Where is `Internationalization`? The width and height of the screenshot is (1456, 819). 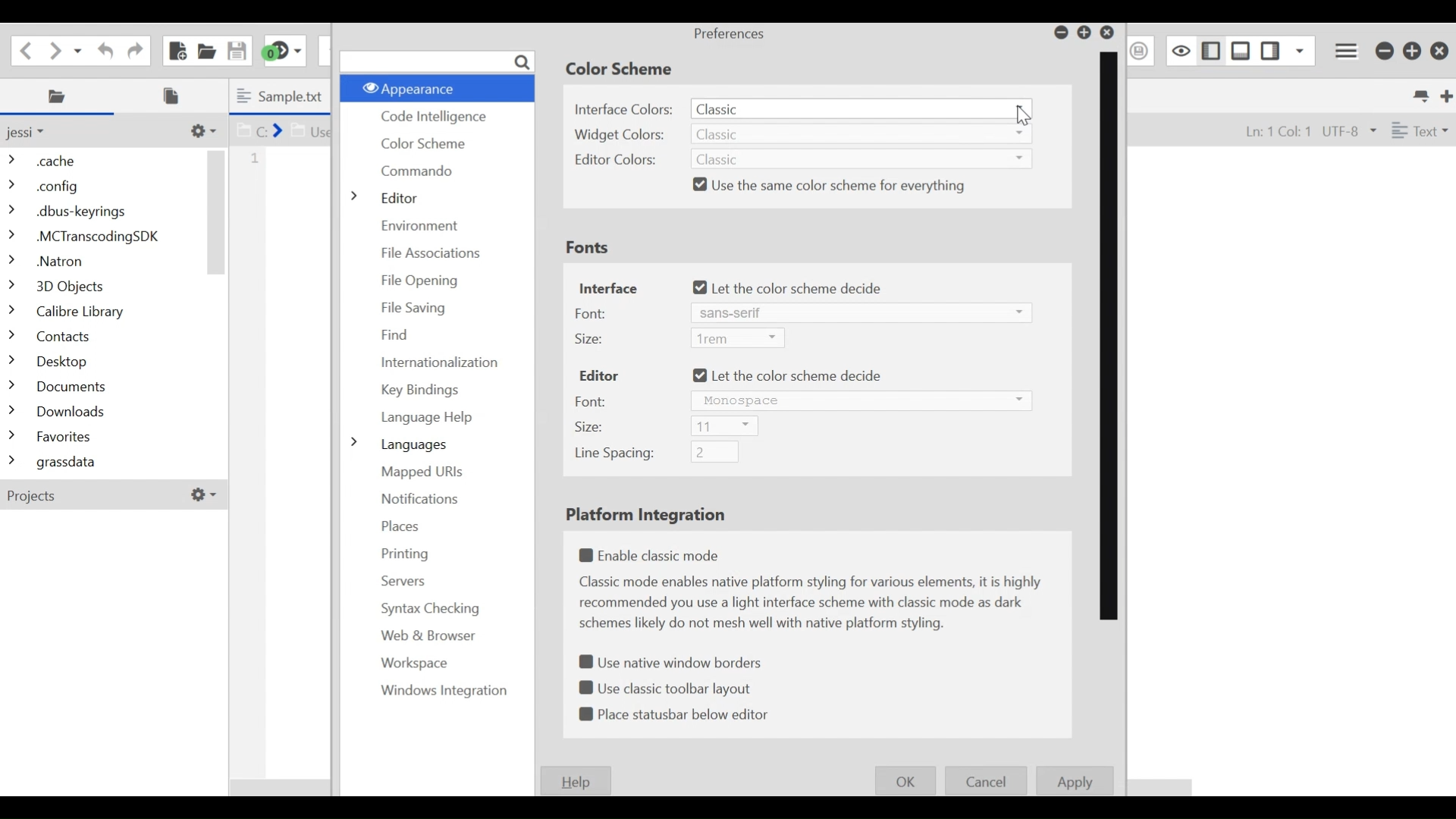
Internationalization is located at coordinates (442, 362).